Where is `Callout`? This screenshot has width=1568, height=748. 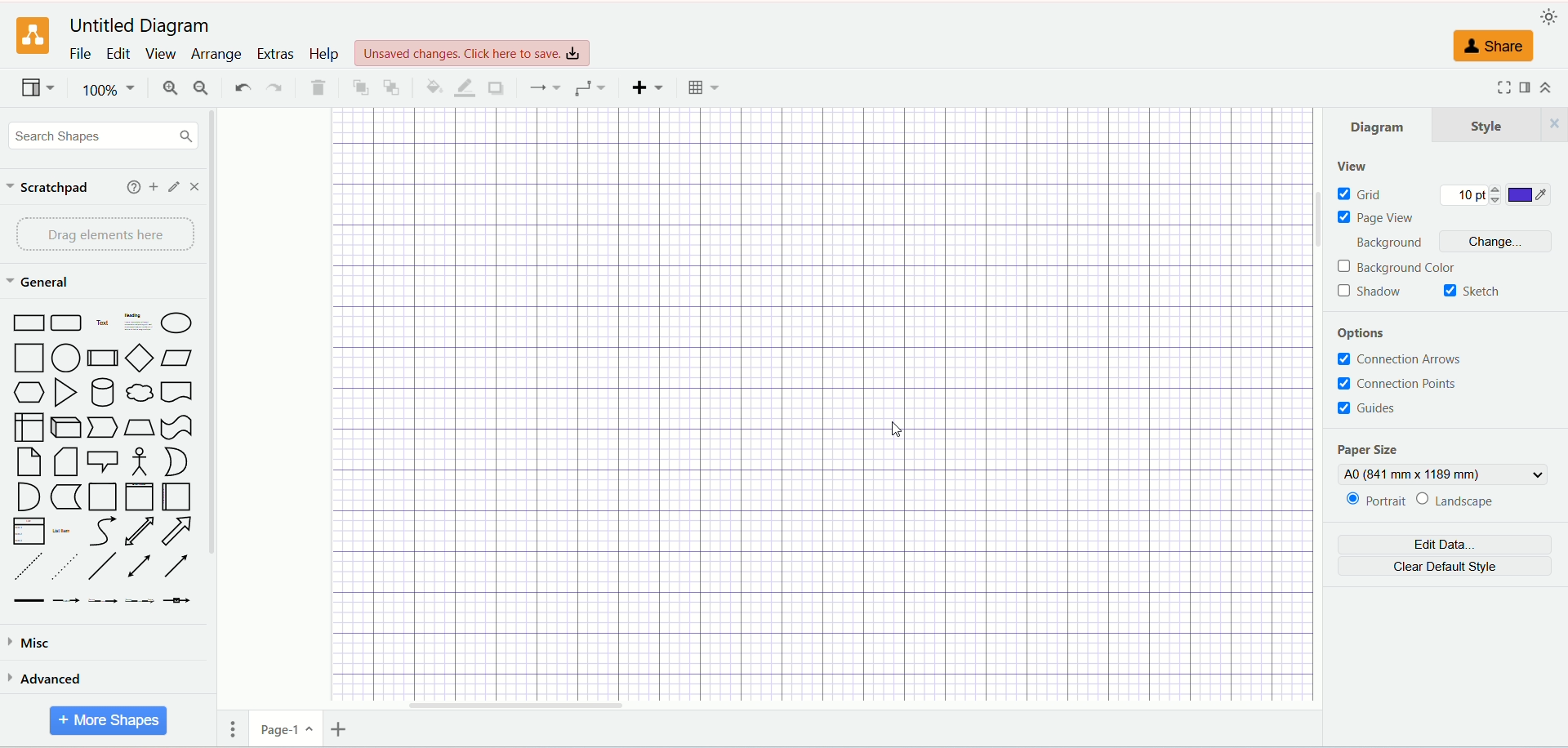
Callout is located at coordinates (104, 463).